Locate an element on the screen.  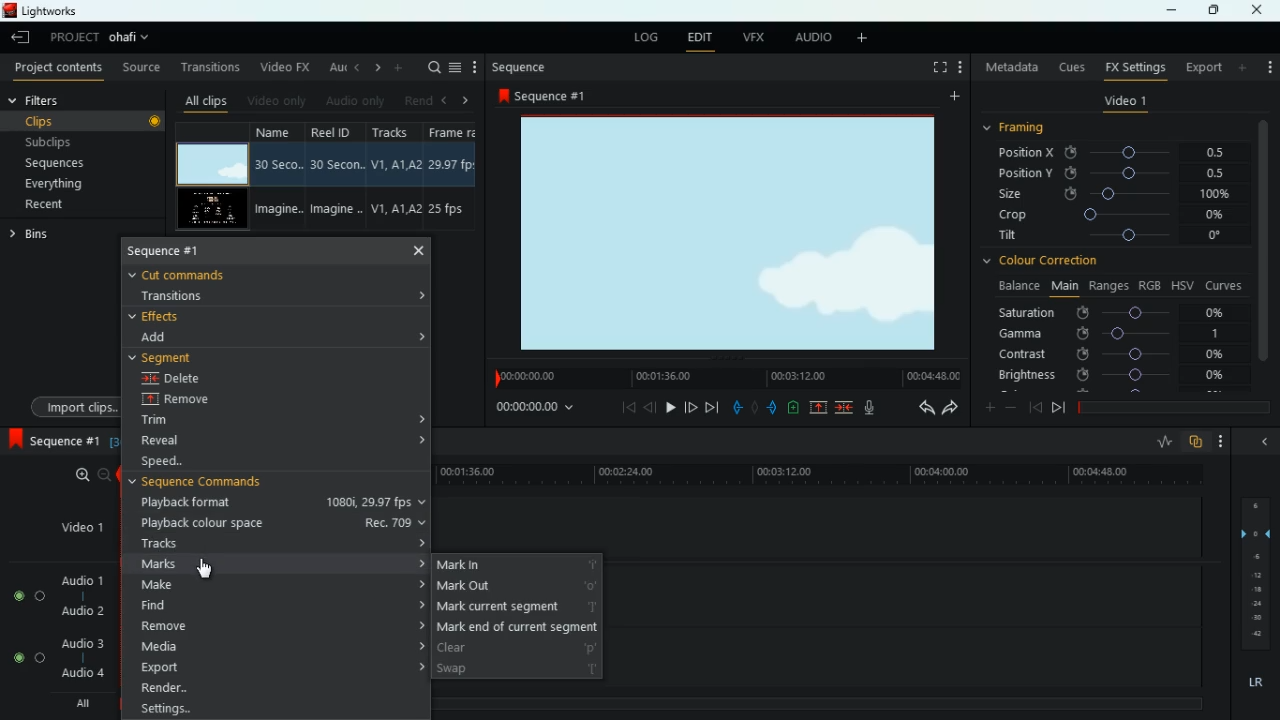
all is located at coordinates (78, 706).